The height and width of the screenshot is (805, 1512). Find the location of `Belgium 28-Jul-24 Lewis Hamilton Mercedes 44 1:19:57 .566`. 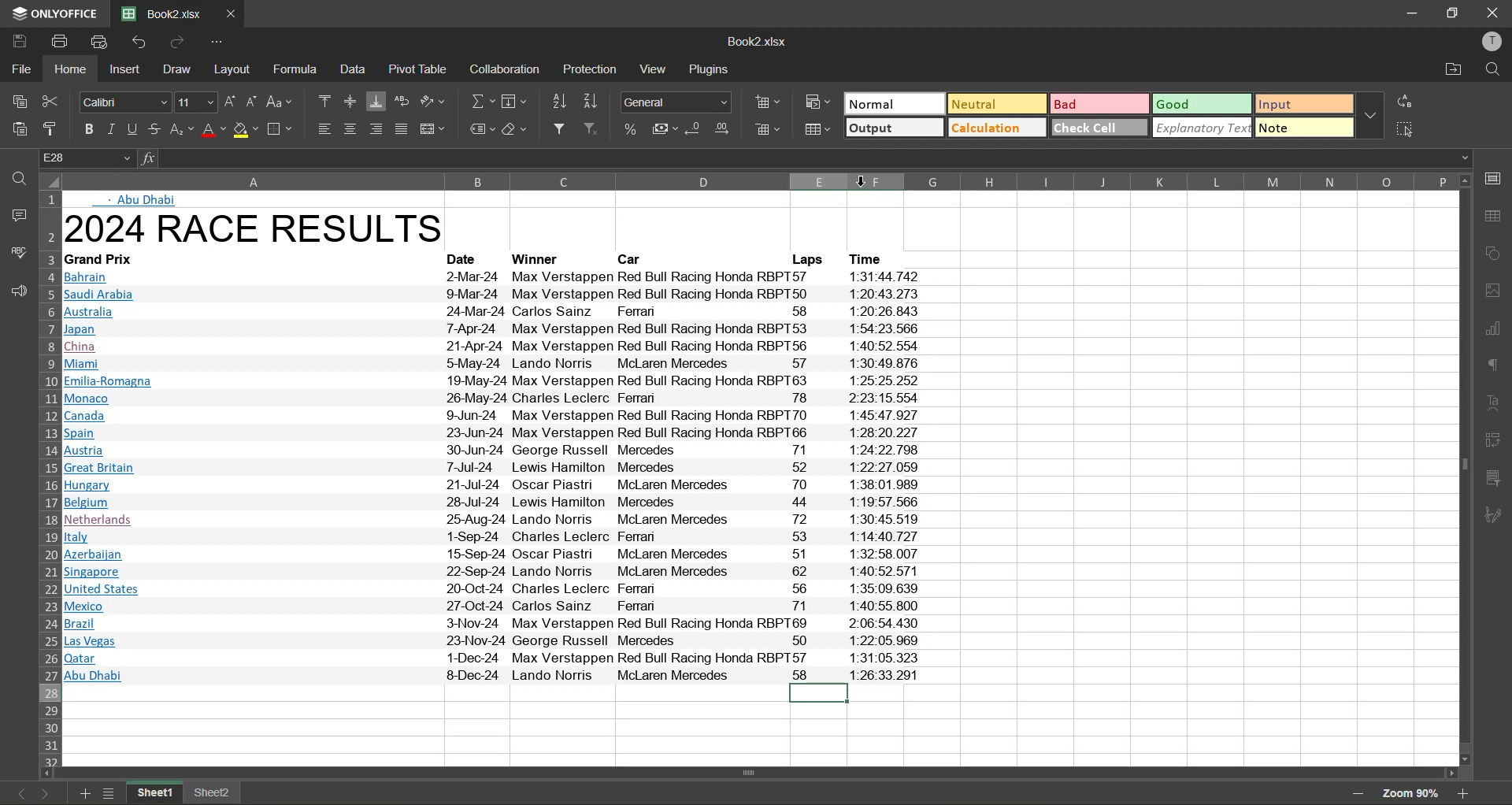

Belgium 28-Jul-24 Lewis Hamilton Mercedes 44 1:19:57 .566 is located at coordinates (493, 503).